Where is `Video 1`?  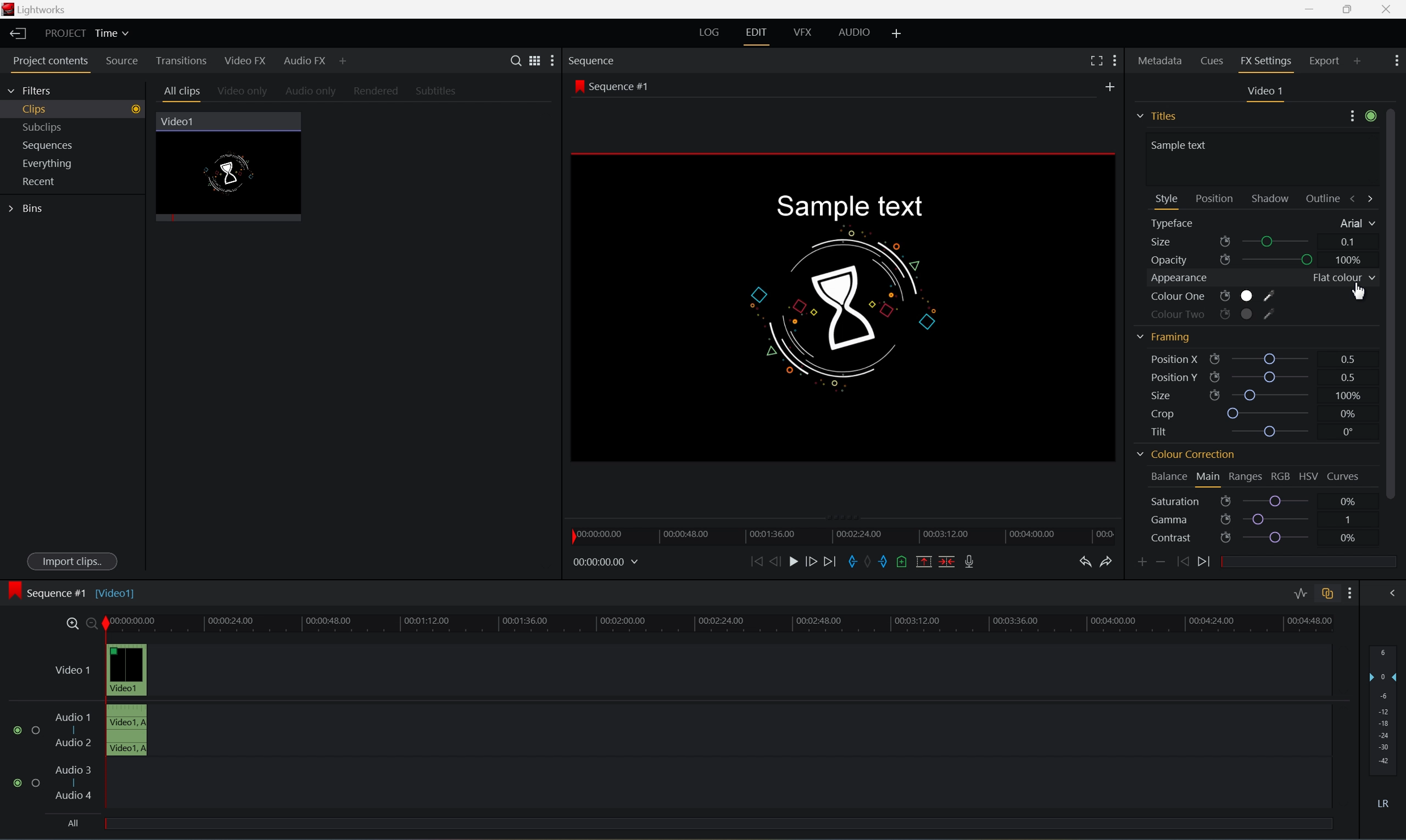
Video 1 is located at coordinates (75, 671).